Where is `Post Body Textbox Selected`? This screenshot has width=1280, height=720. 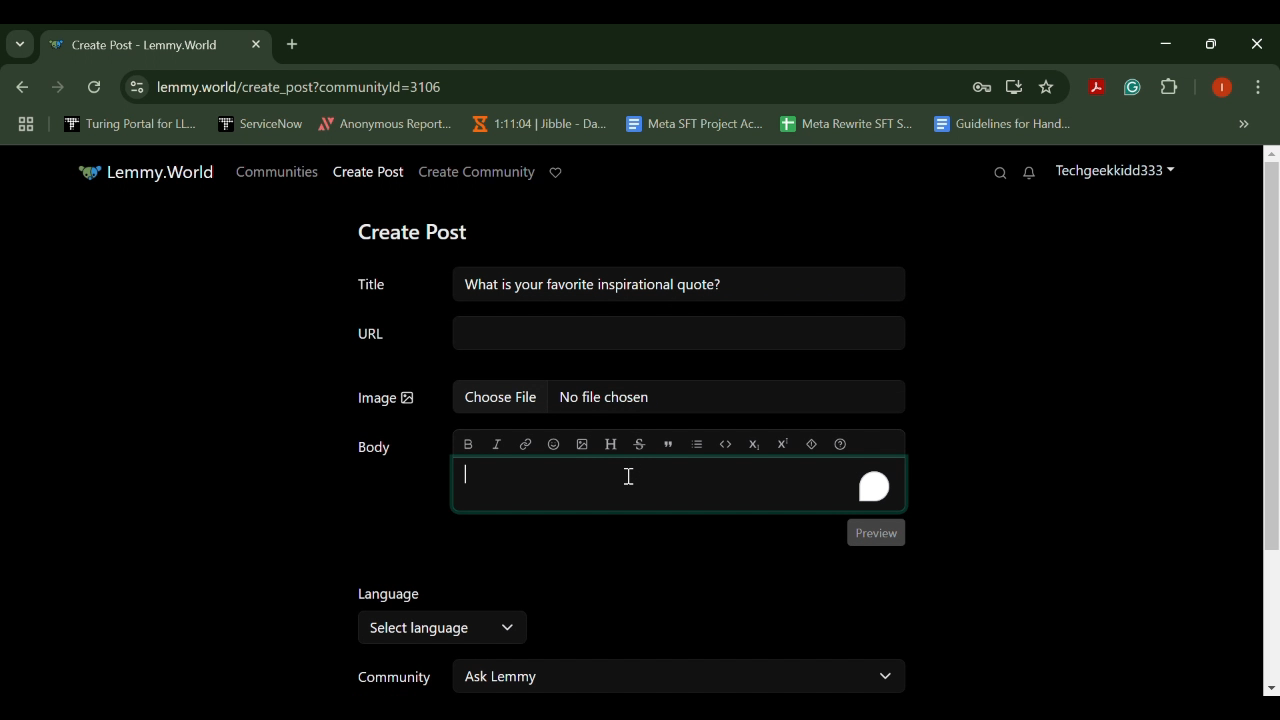
Post Body Textbox Selected is located at coordinates (676, 484).